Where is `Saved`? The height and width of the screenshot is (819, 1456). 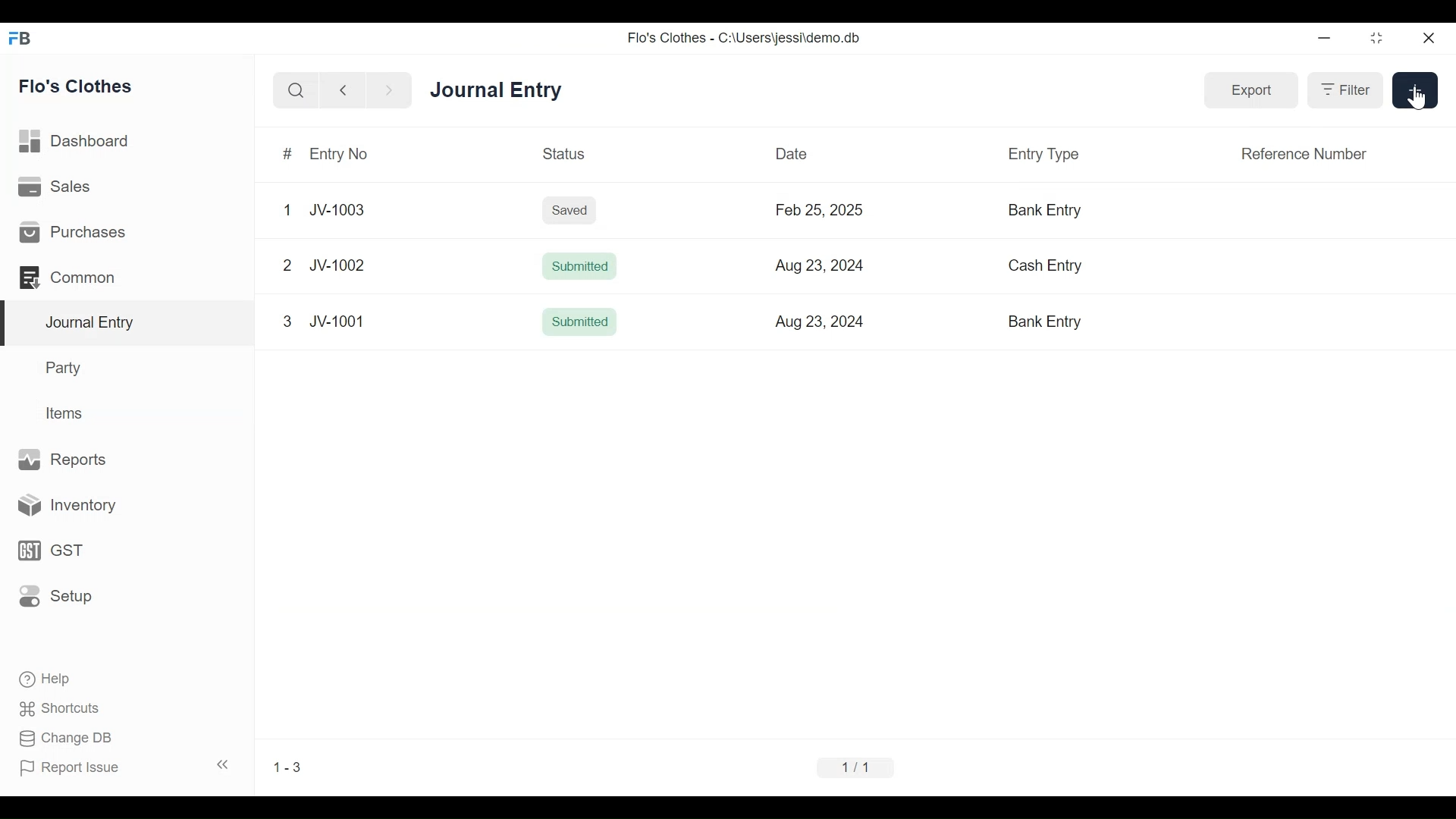 Saved is located at coordinates (570, 209).